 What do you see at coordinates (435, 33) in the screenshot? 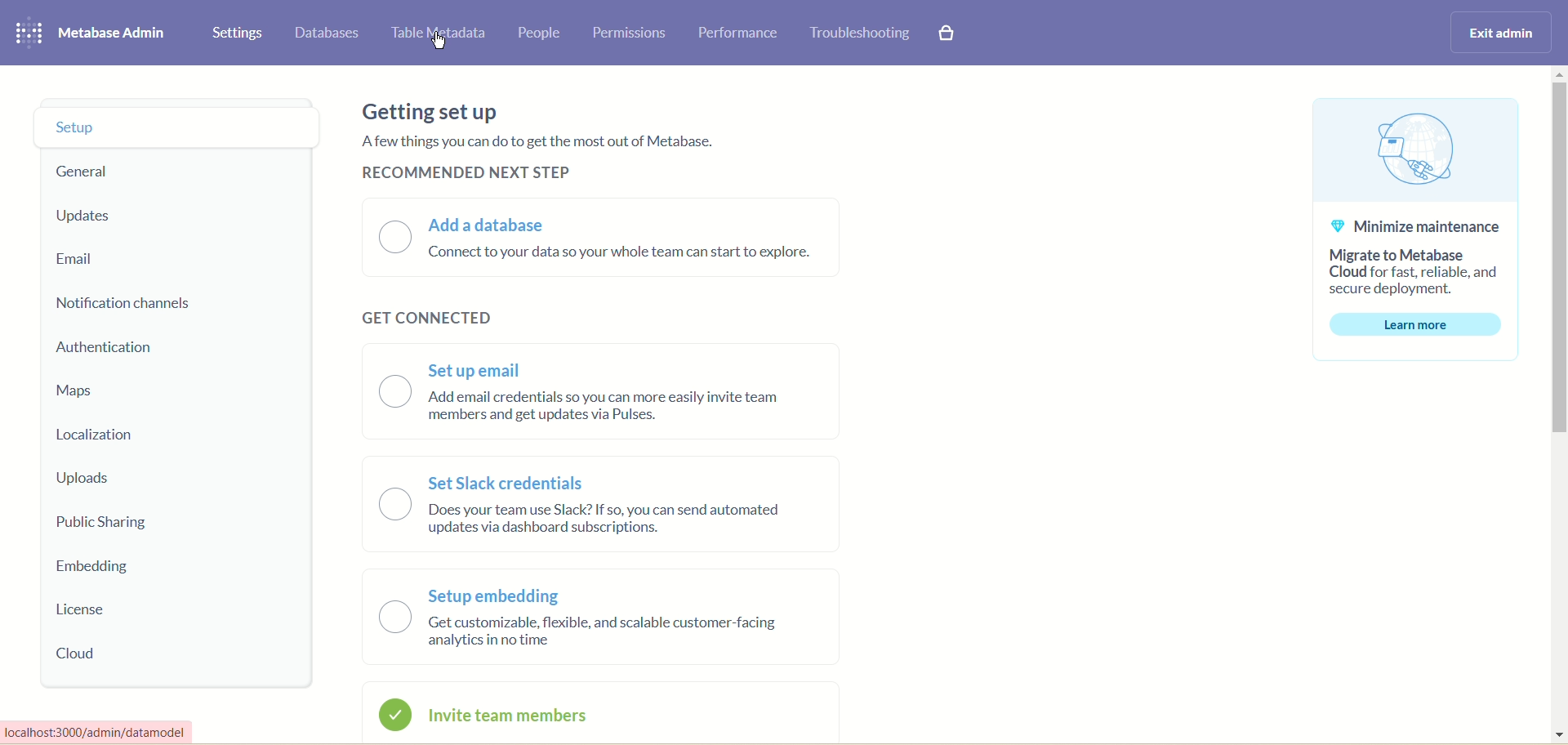
I see `table metadata` at bounding box center [435, 33].